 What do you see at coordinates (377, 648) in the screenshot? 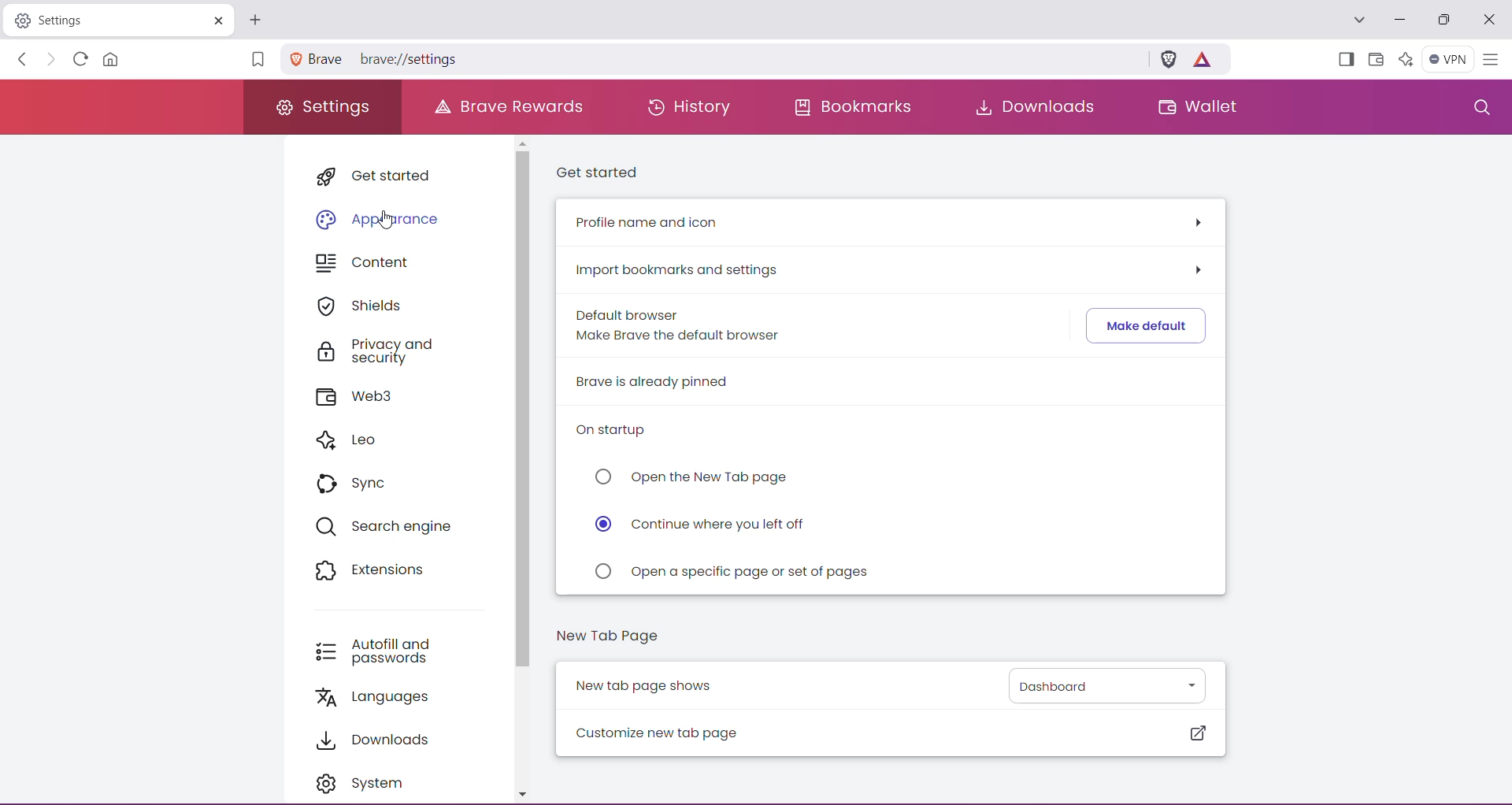
I see `Autofill and passwords` at bounding box center [377, 648].